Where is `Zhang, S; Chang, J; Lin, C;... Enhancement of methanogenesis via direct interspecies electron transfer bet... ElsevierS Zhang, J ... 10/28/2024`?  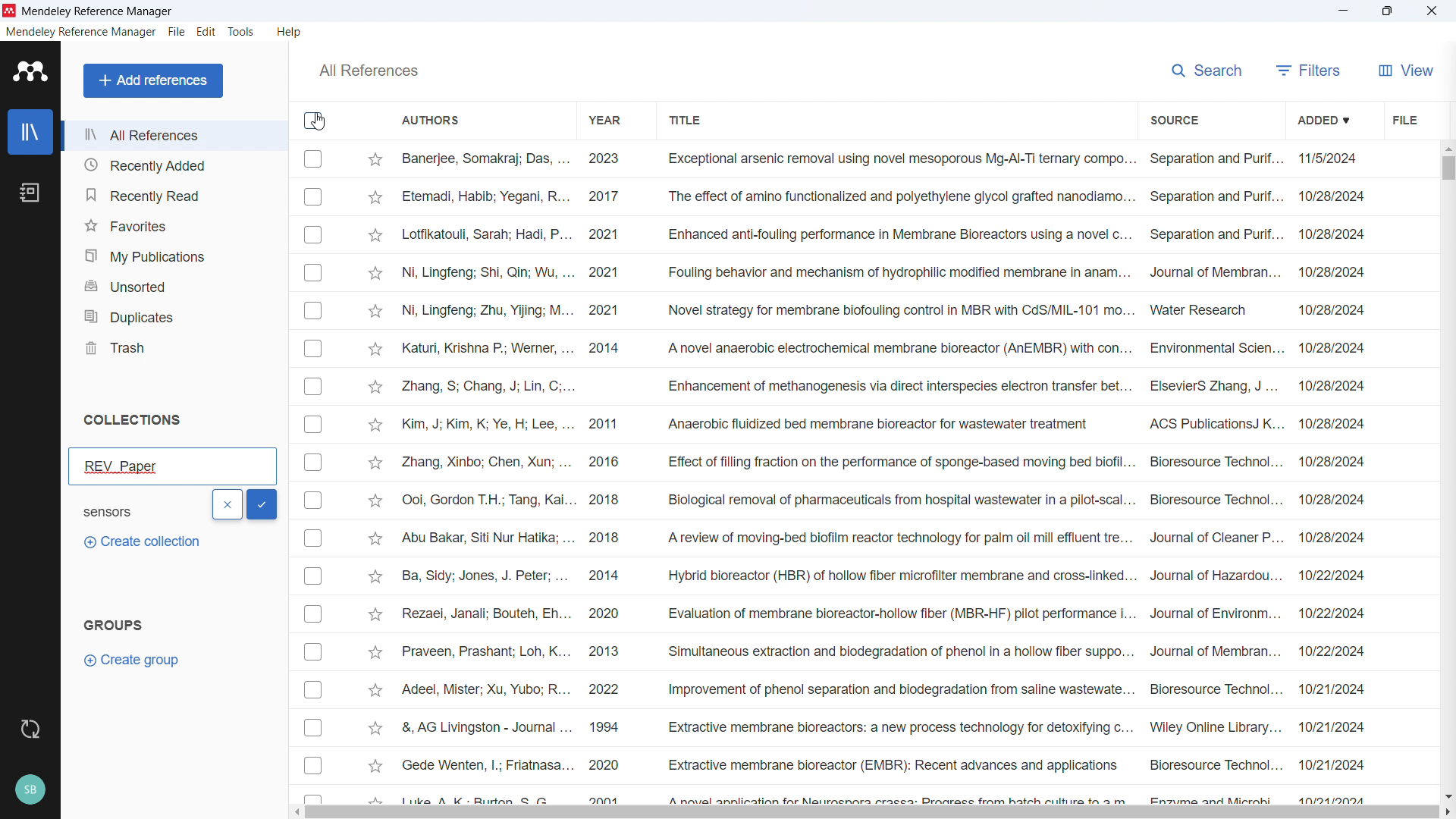 Zhang, S; Chang, J; Lin, C;... Enhancement of methanogenesis via direct interspecies electron transfer bet... ElsevierS Zhang, J ... 10/28/2024 is located at coordinates (884, 387).